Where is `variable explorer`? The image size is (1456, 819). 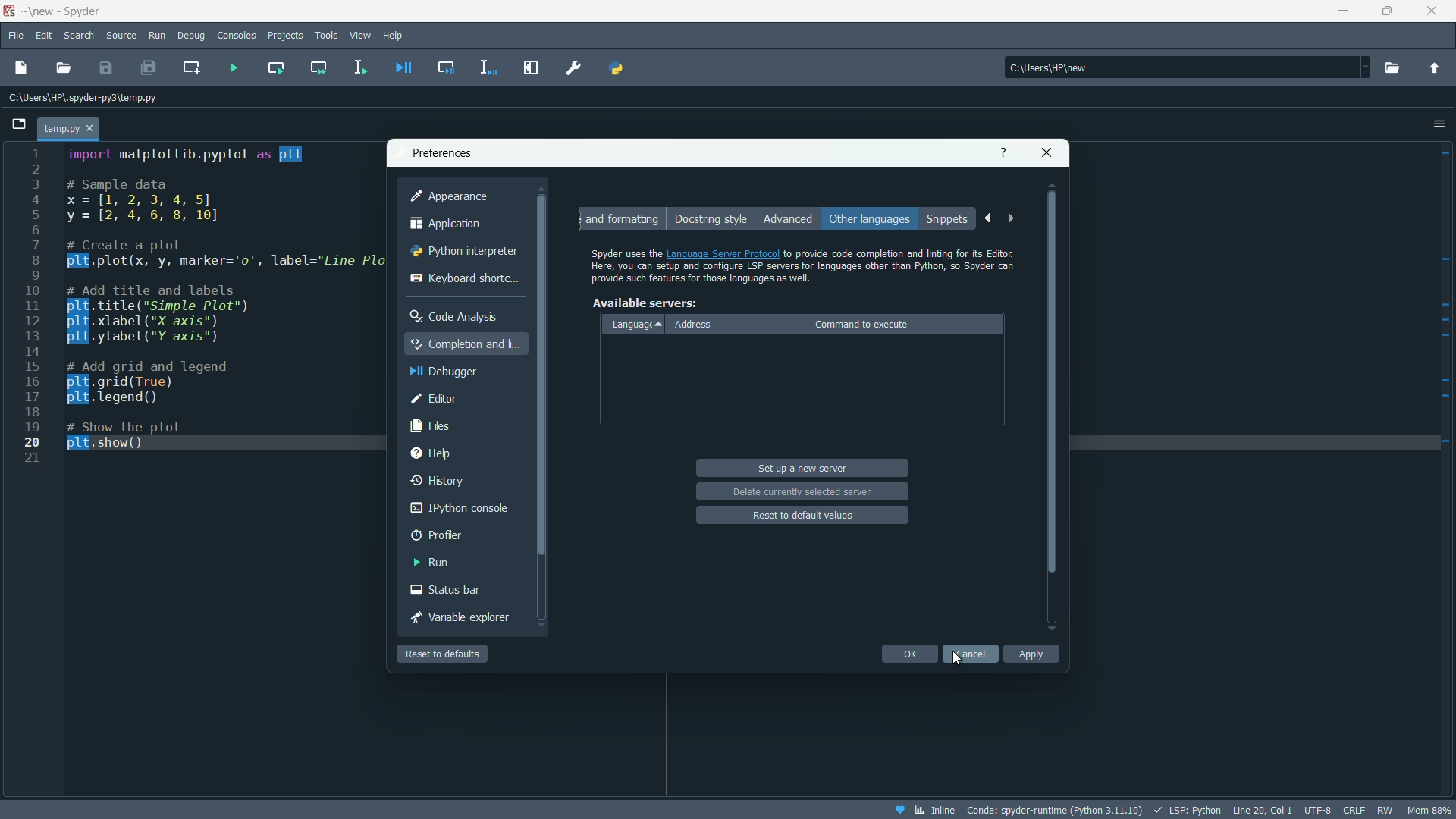
variable explorer is located at coordinates (465, 617).